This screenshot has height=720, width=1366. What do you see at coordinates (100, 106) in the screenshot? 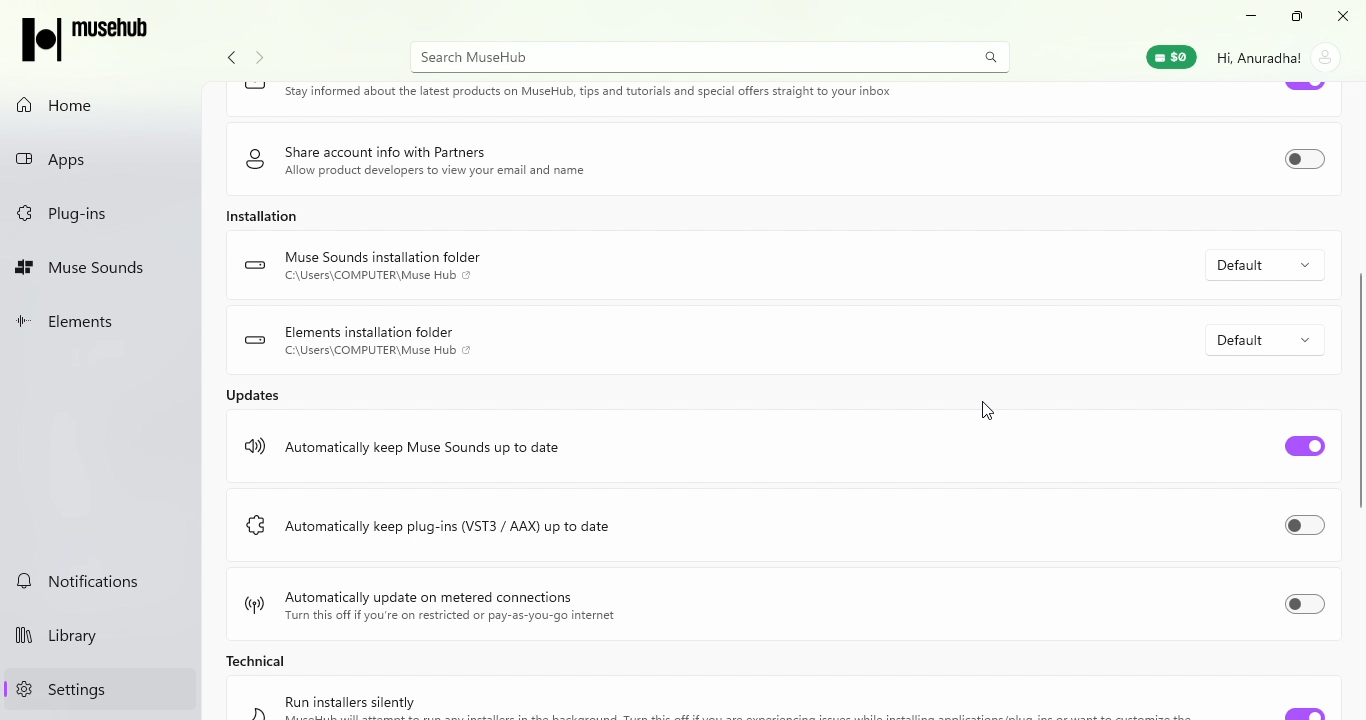
I see `Home` at bounding box center [100, 106].